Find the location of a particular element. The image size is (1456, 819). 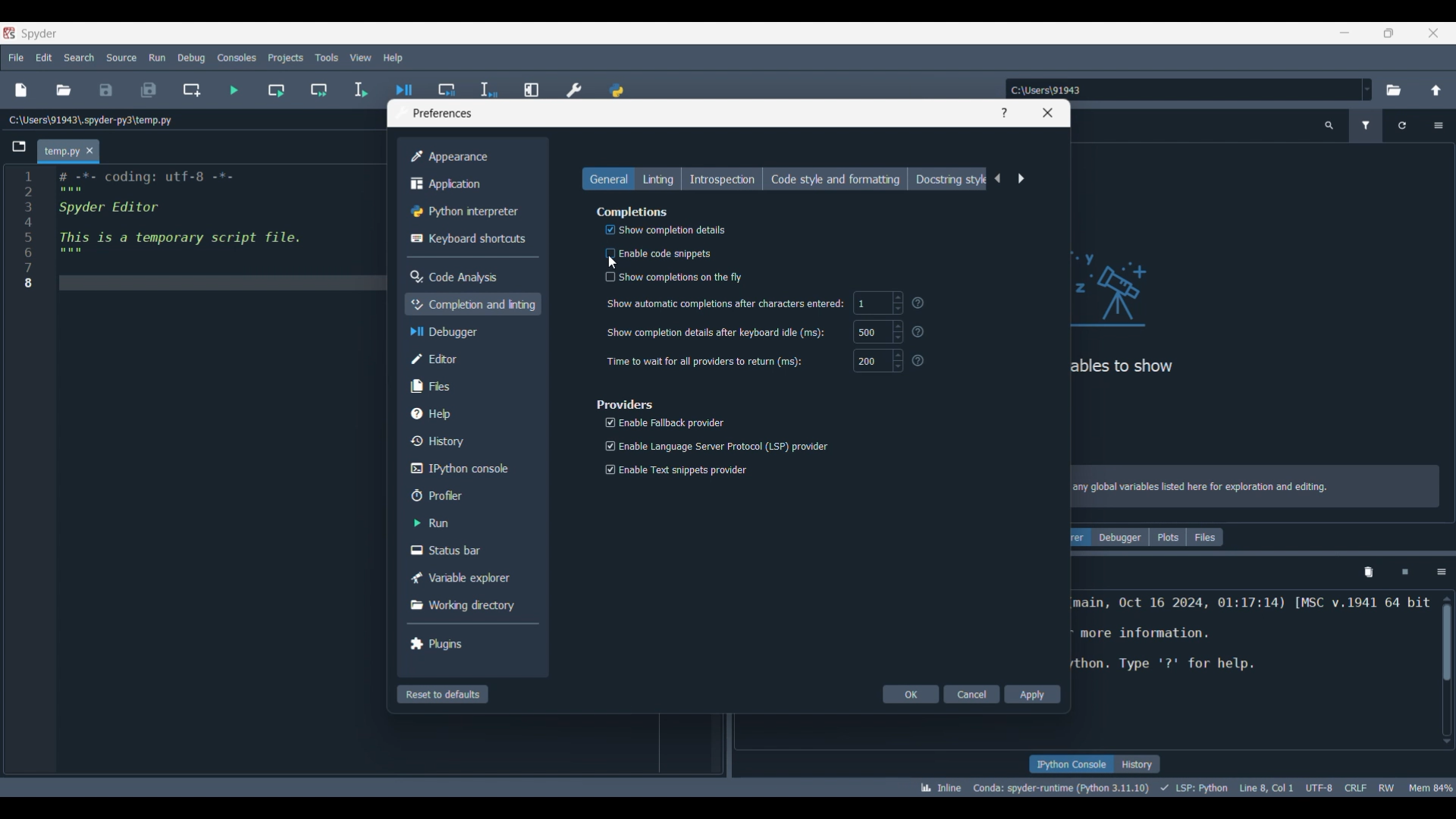

Edit menu is located at coordinates (45, 58).